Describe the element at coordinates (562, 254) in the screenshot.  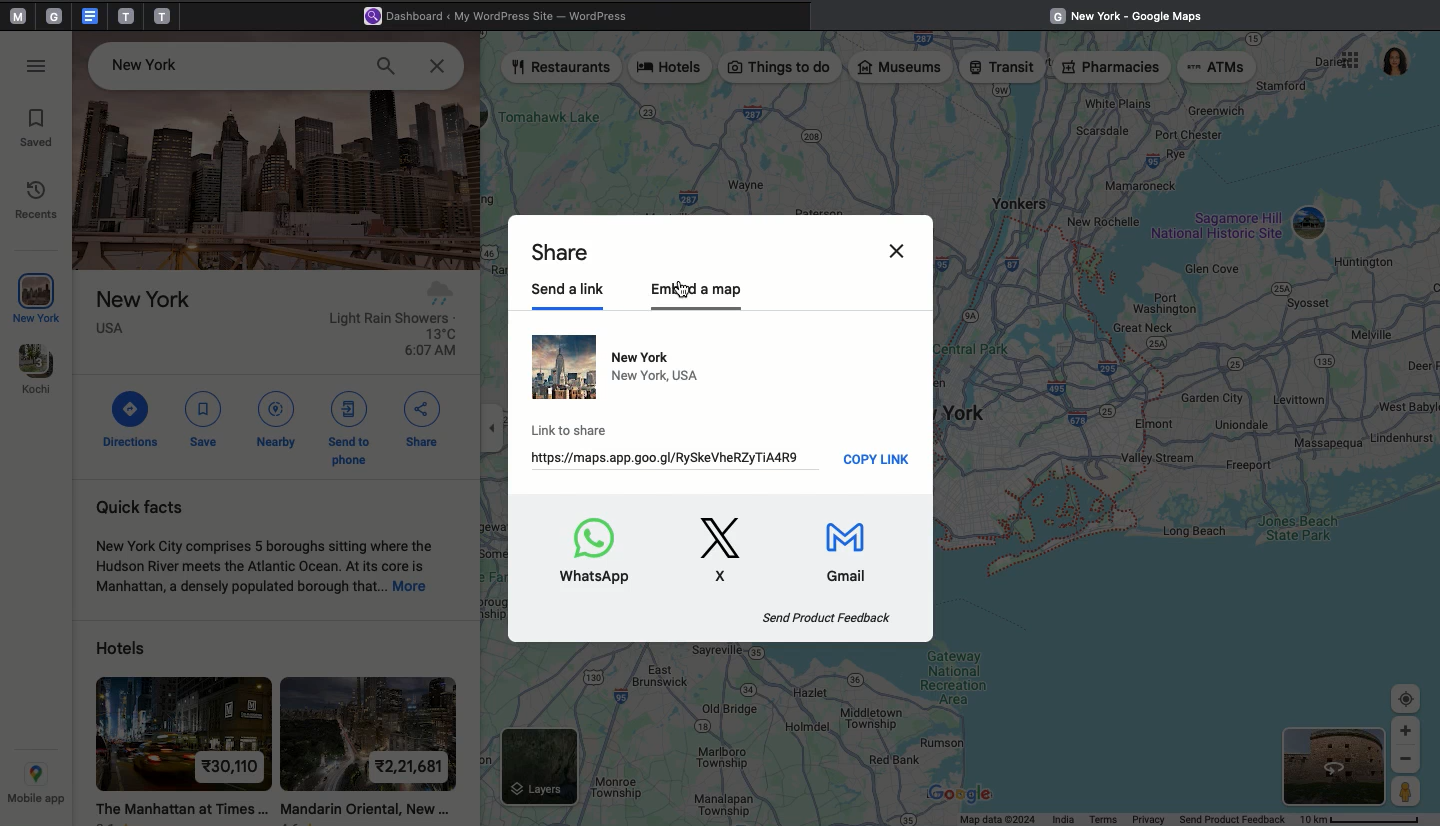
I see `Share` at that location.